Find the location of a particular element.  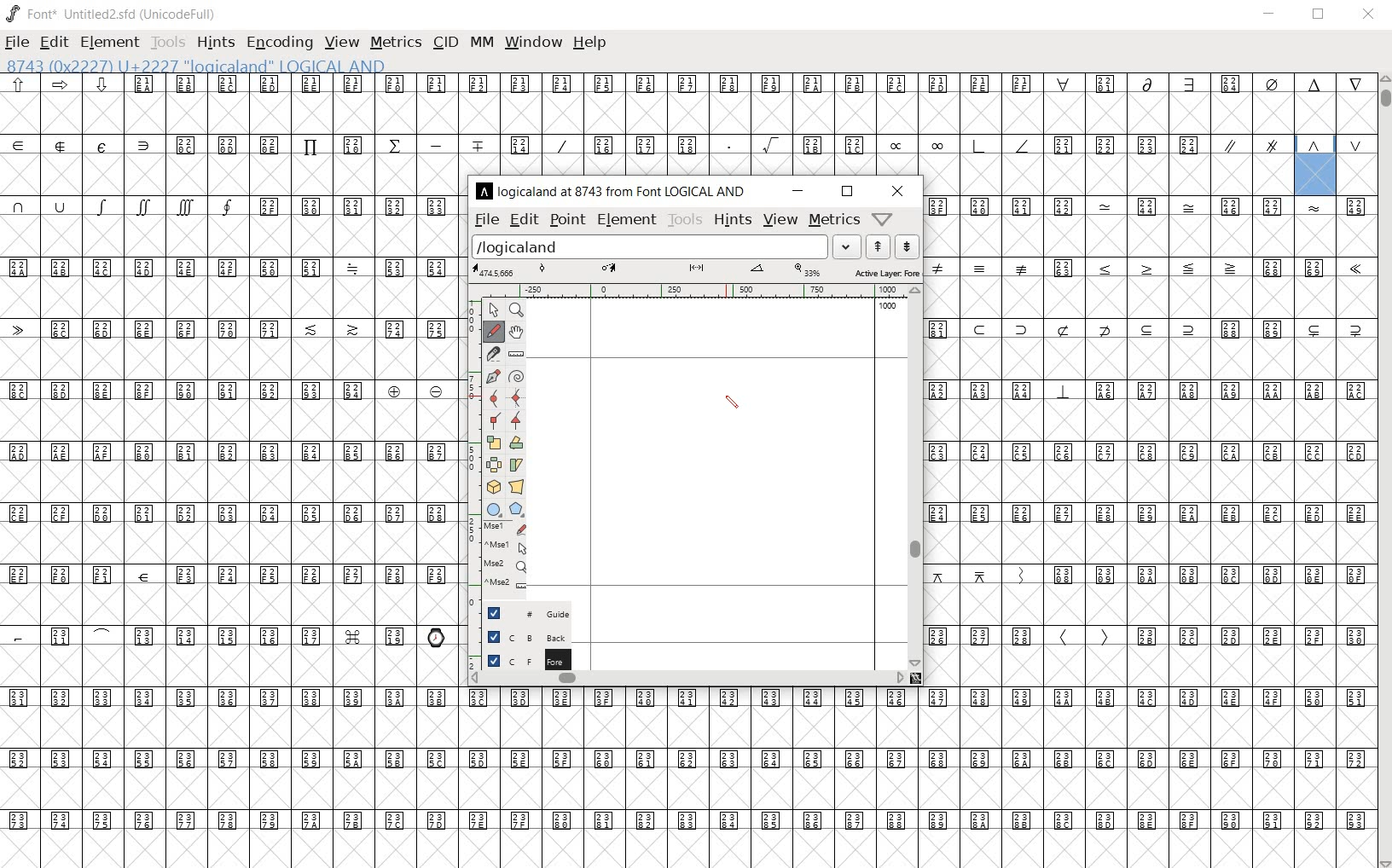

mse1 mse1 mse2 mse2 is located at coordinates (504, 557).